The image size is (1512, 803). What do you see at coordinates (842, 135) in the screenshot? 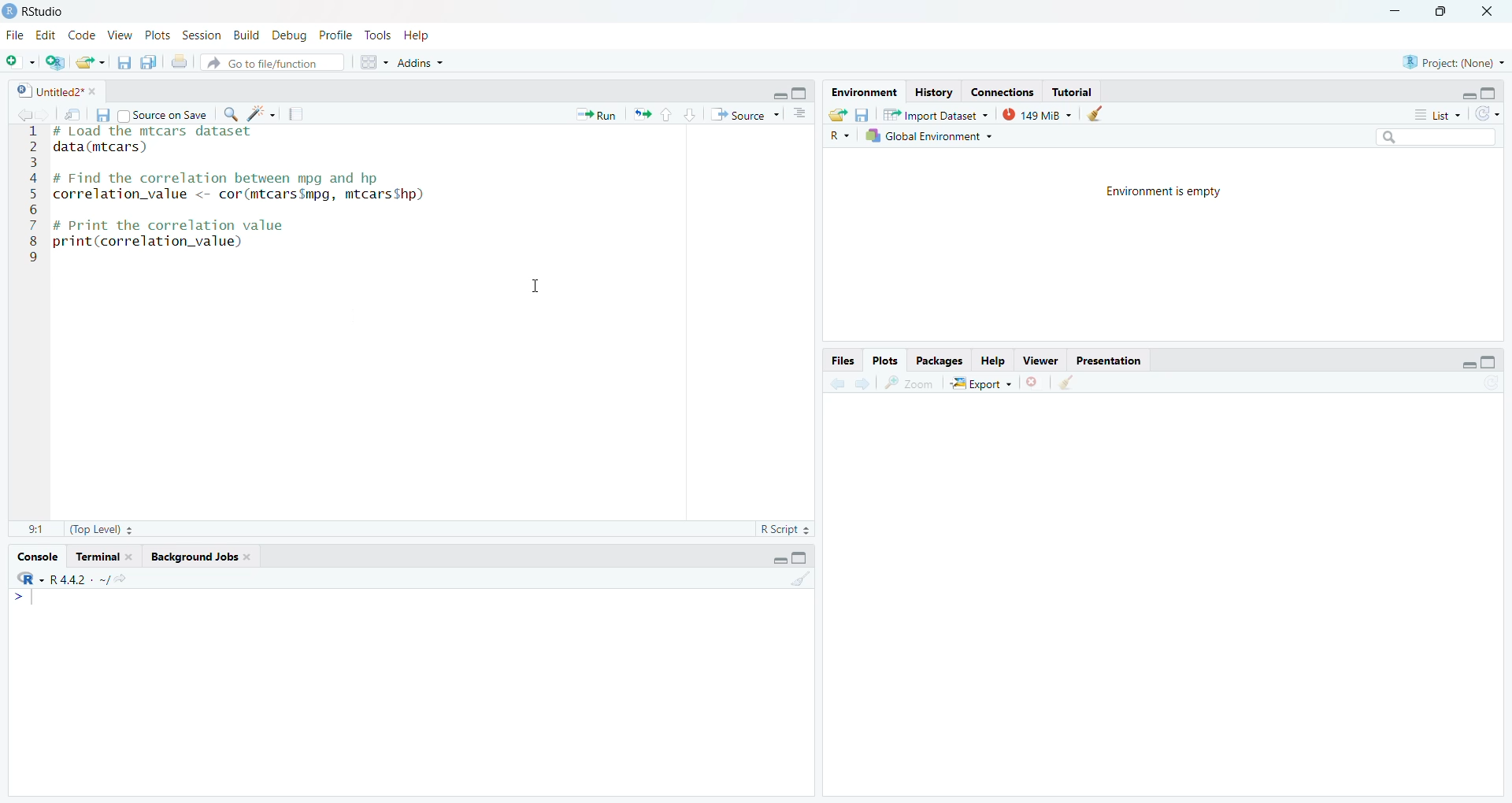
I see `R` at bounding box center [842, 135].